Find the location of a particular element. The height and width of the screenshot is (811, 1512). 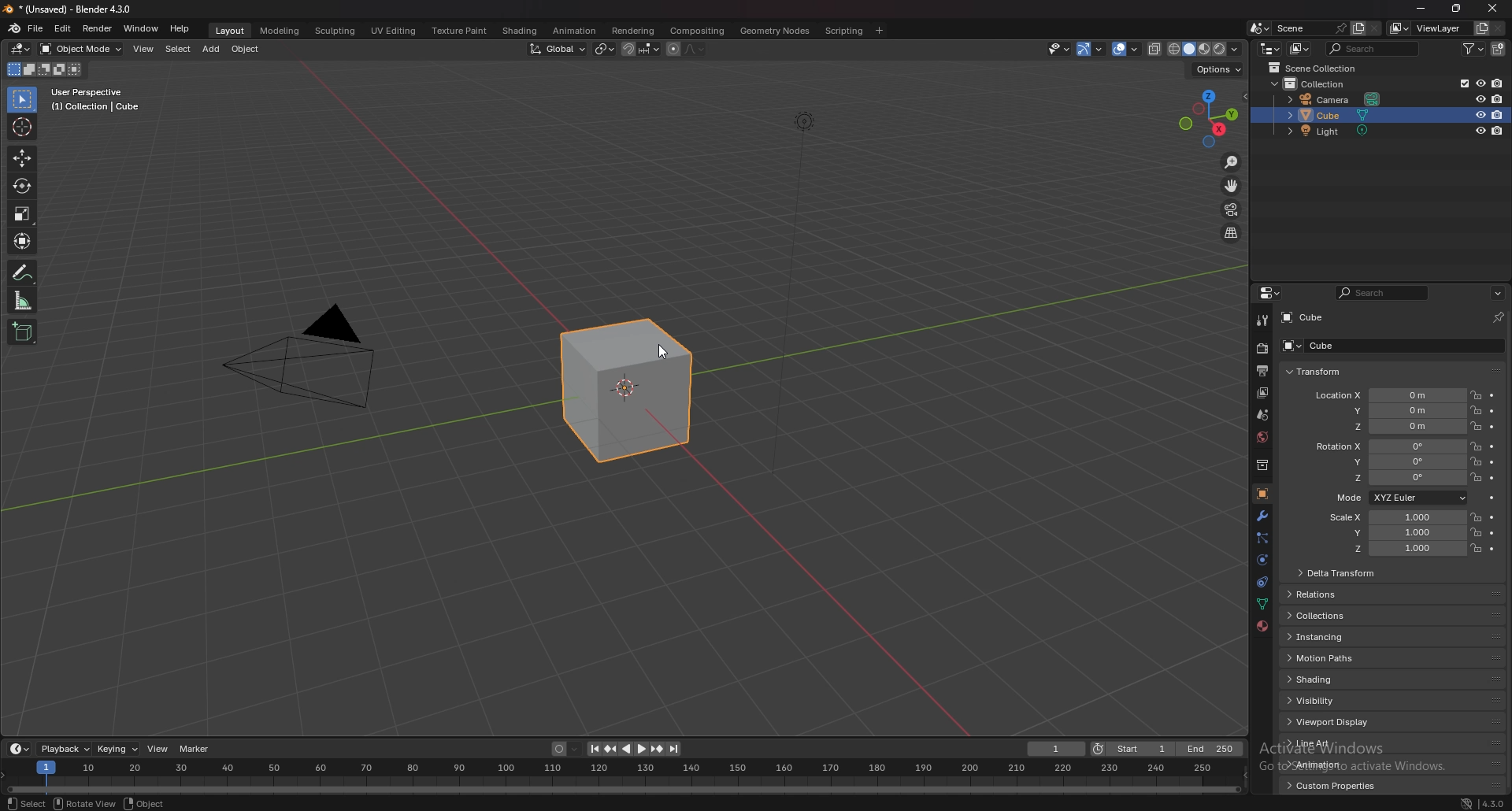

particle is located at coordinates (1262, 539).